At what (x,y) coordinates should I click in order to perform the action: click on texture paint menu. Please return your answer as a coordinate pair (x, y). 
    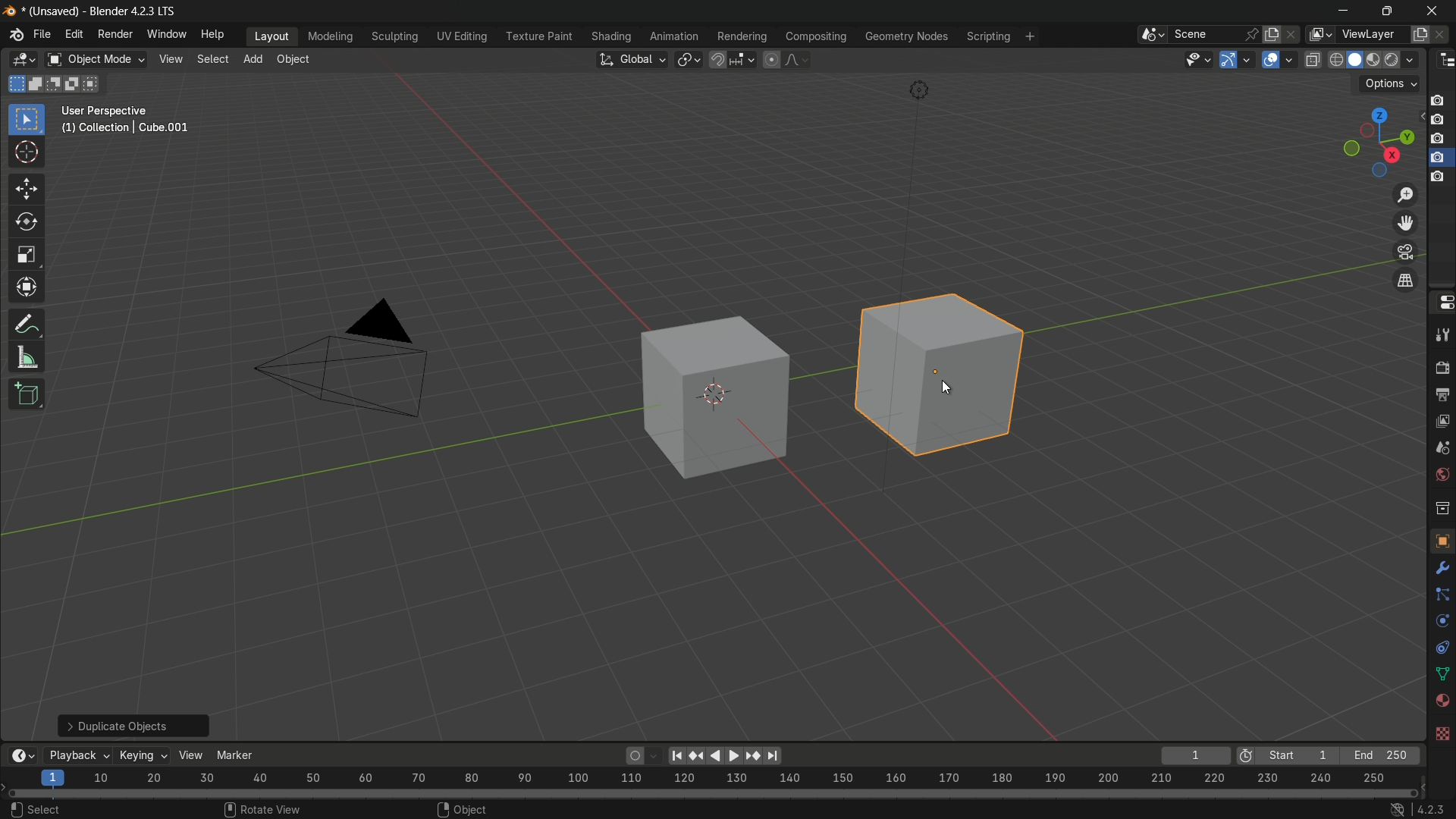
    Looking at the image, I should click on (535, 38).